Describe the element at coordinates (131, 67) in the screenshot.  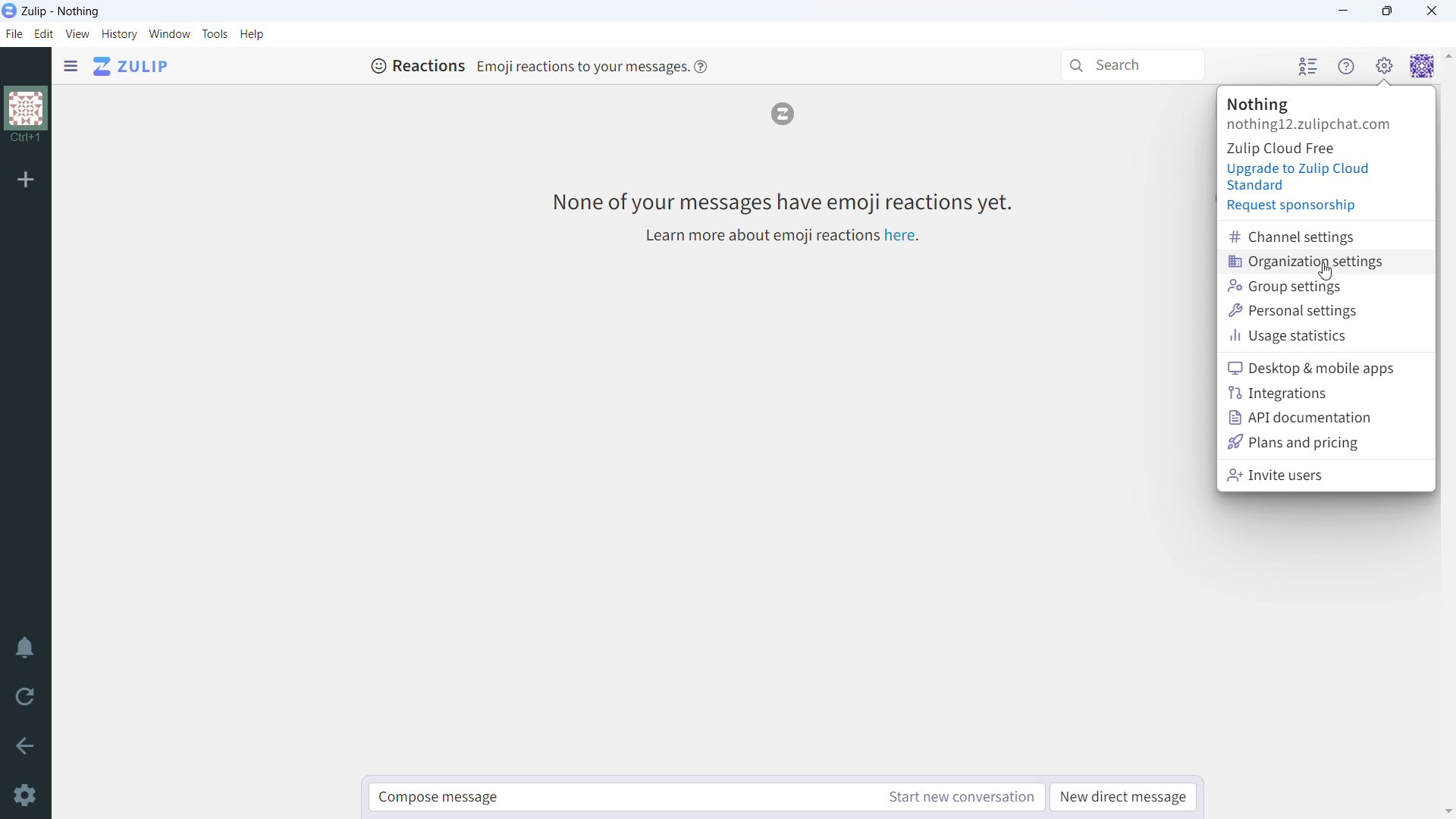
I see `go to home view` at that location.